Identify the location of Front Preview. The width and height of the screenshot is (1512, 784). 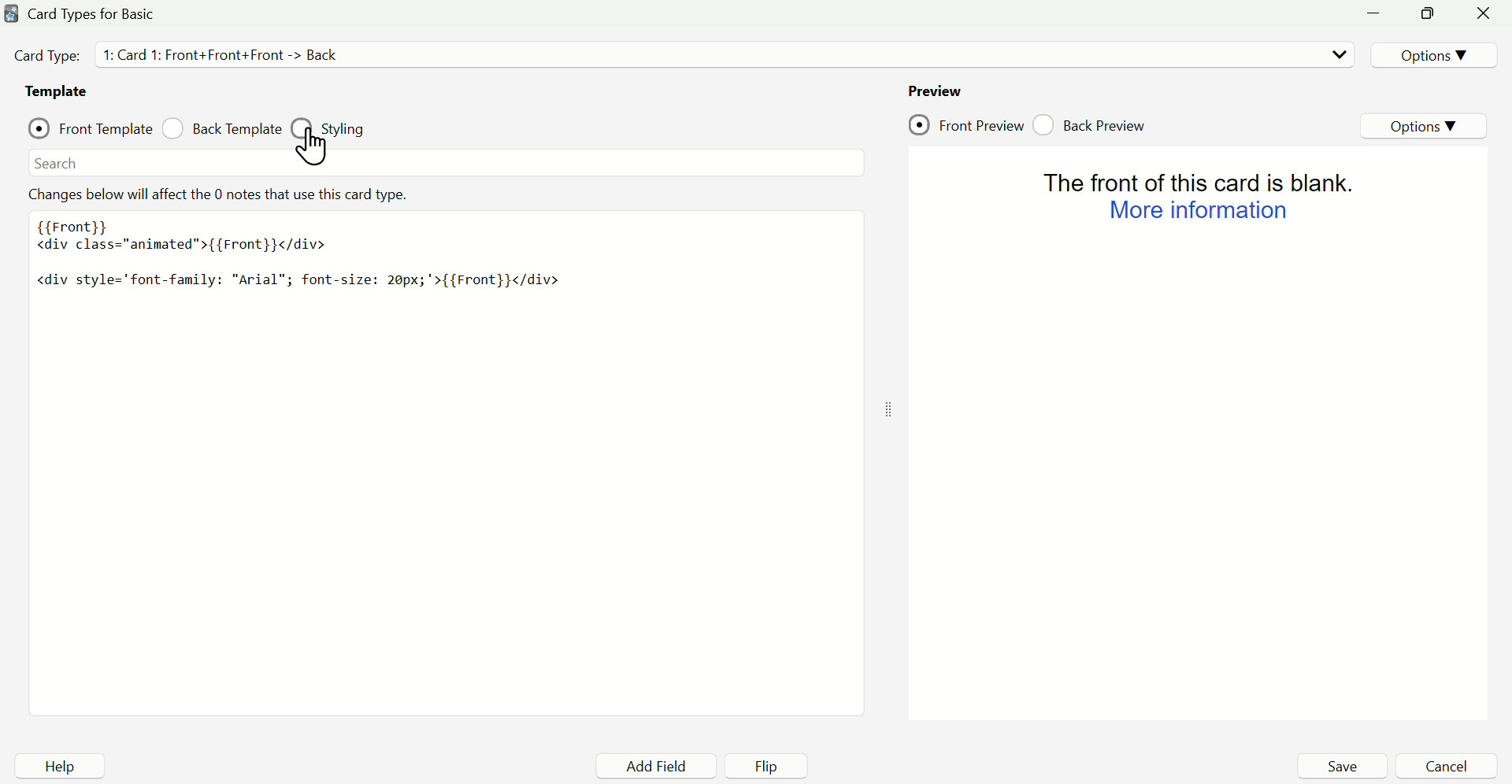
(966, 124).